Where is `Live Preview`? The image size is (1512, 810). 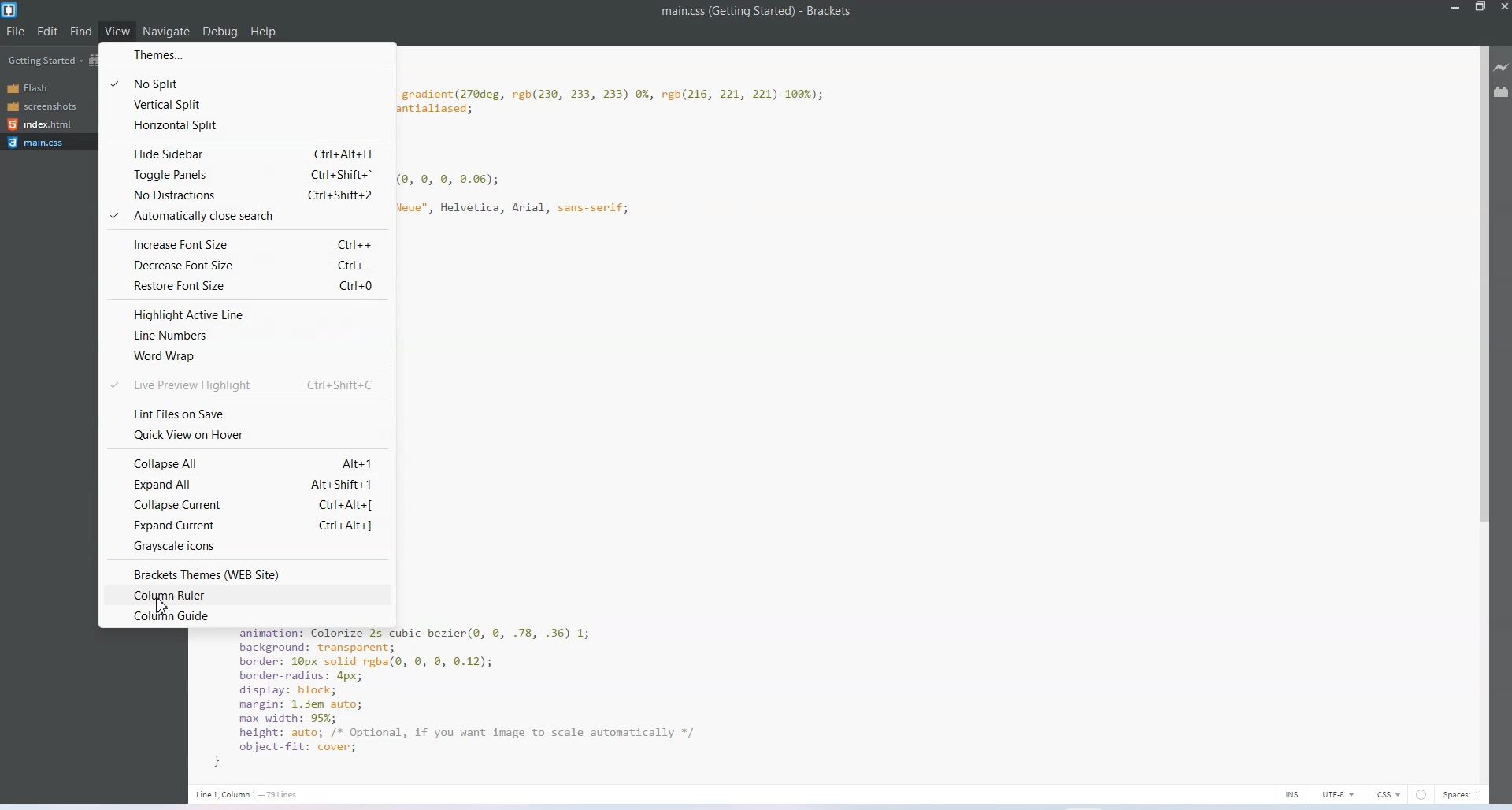
Live Preview is located at coordinates (1503, 66).